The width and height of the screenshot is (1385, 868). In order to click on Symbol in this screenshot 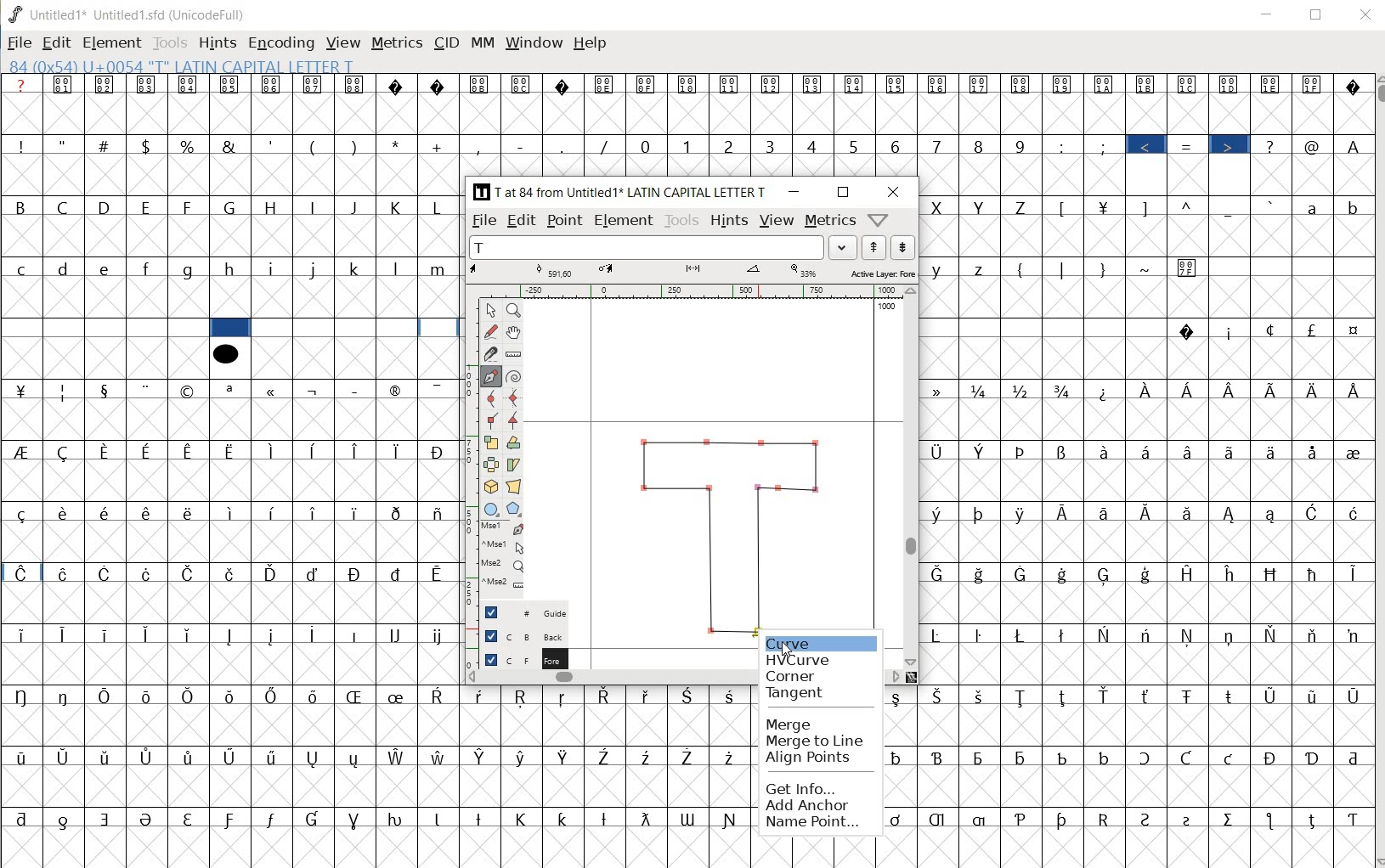, I will do `click(981, 450)`.